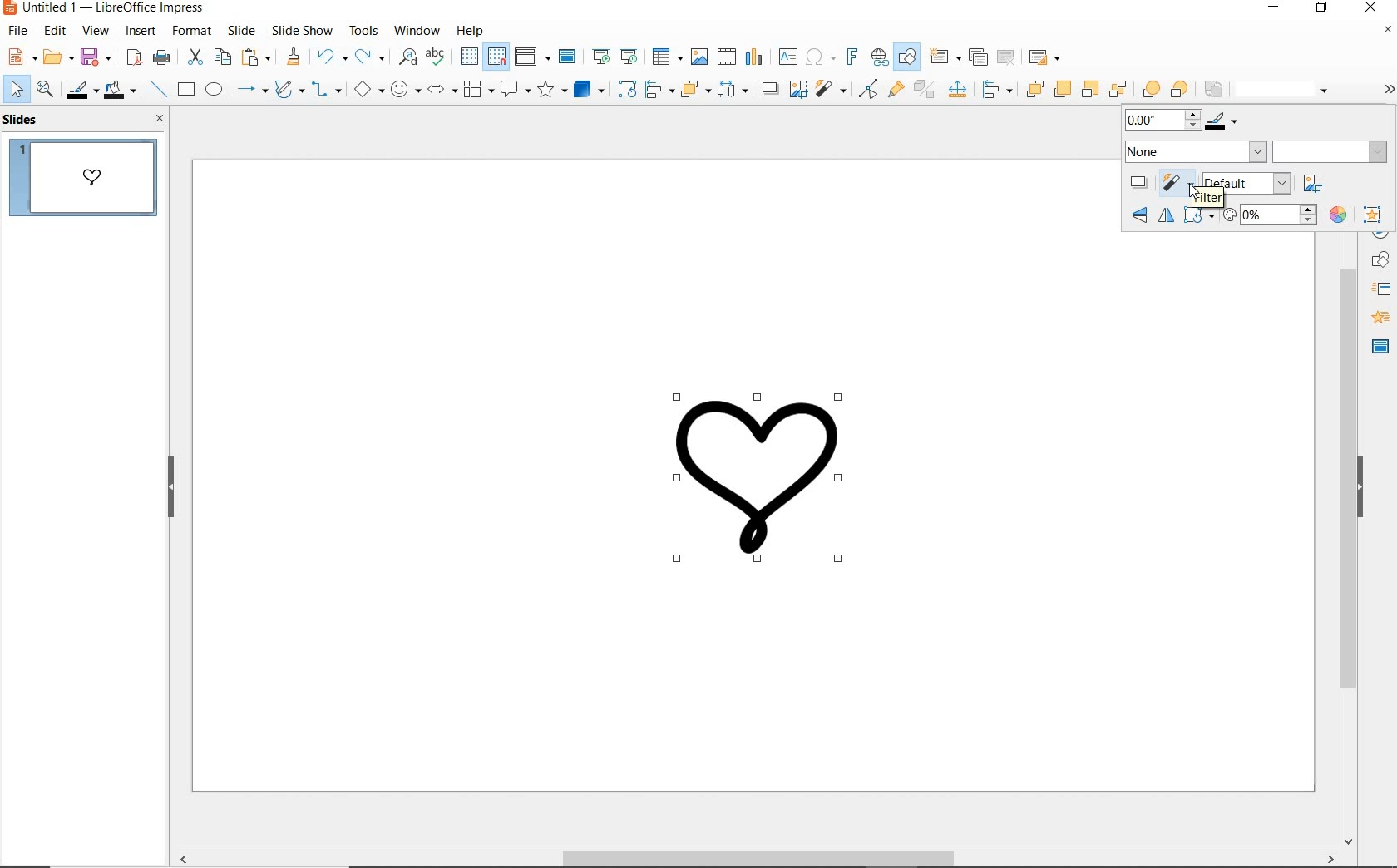 This screenshot has height=868, width=1397. I want to click on rectangle, so click(187, 90).